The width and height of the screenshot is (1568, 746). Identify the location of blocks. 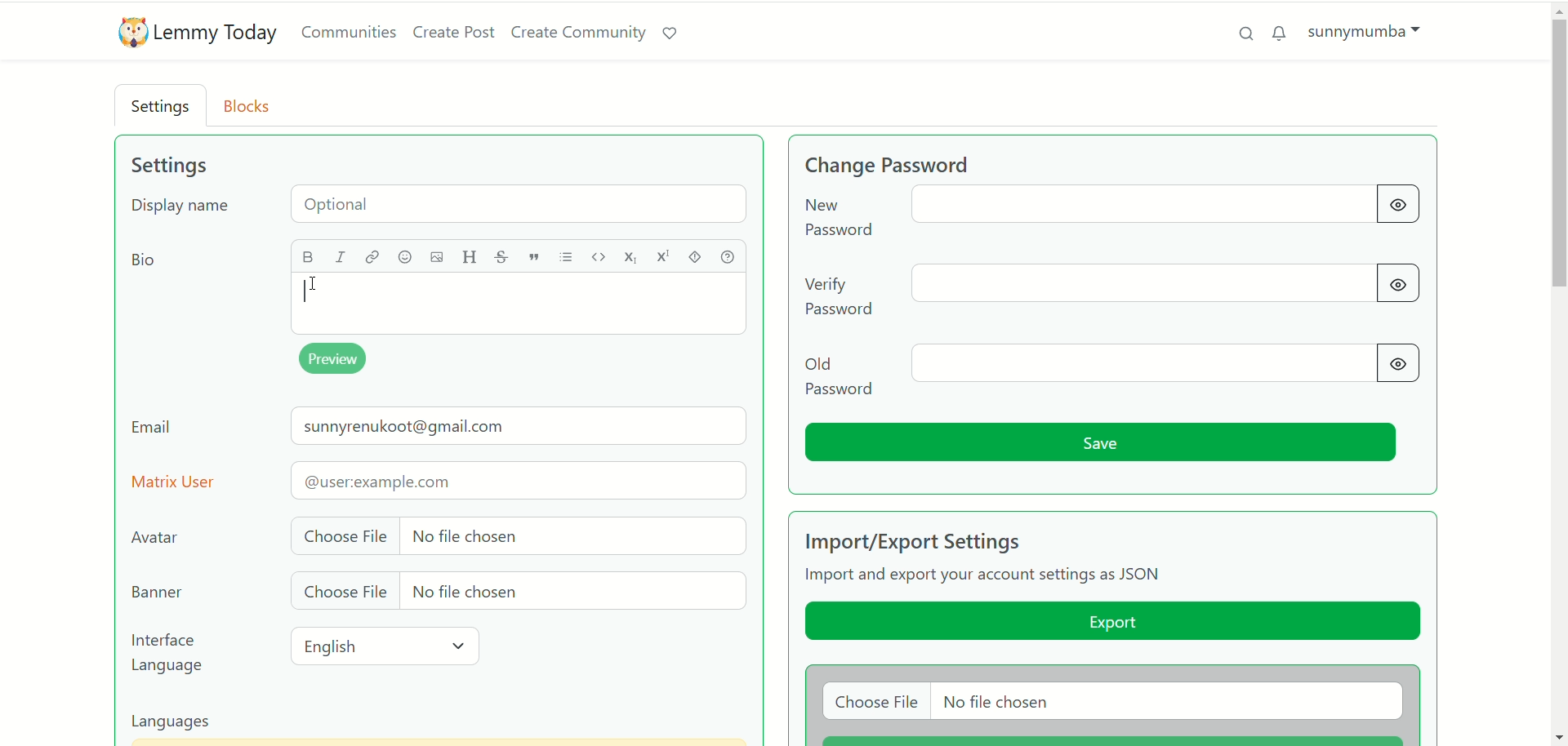
(252, 104).